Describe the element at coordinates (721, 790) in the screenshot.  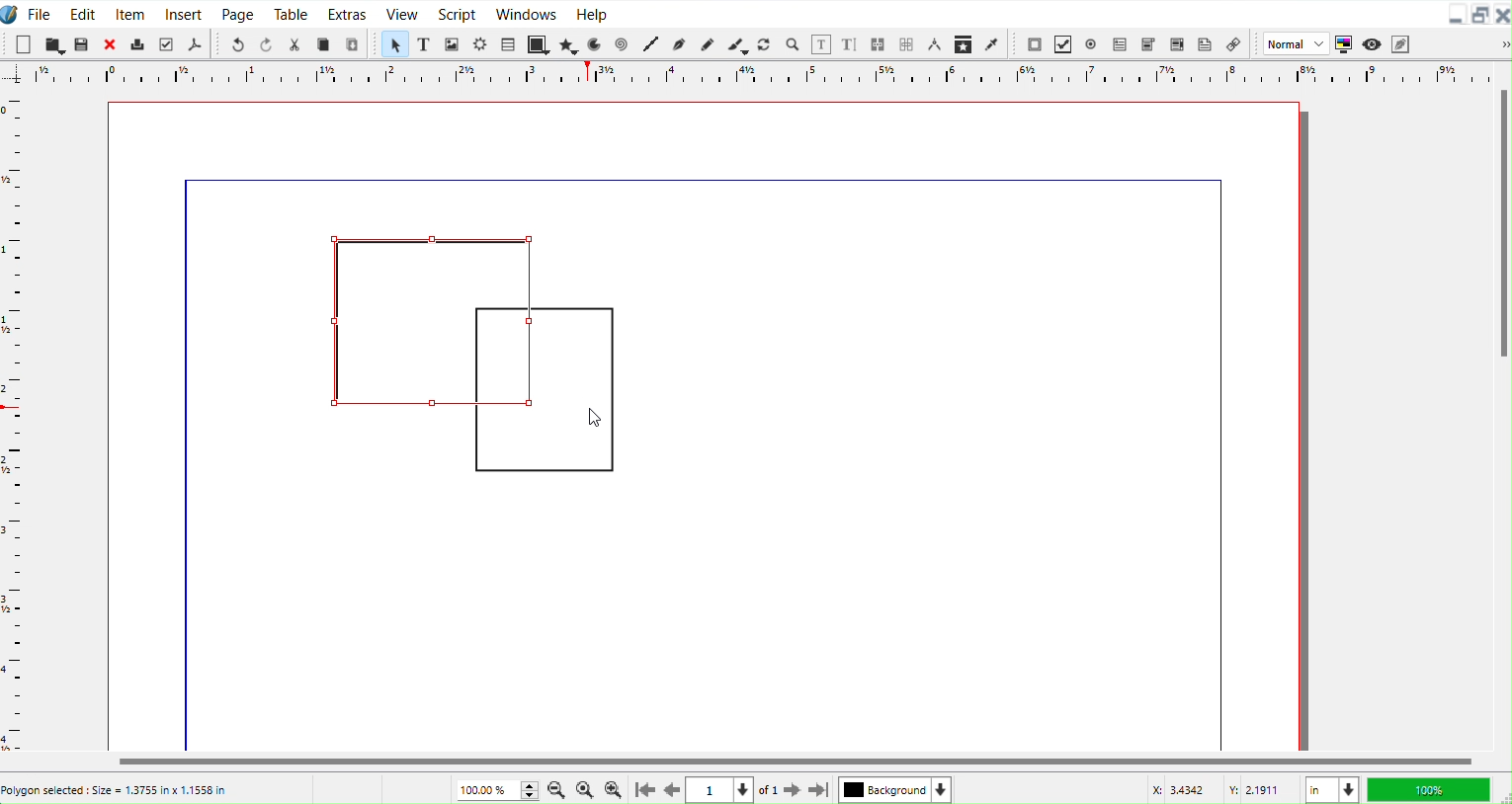
I see `Select current page` at that location.